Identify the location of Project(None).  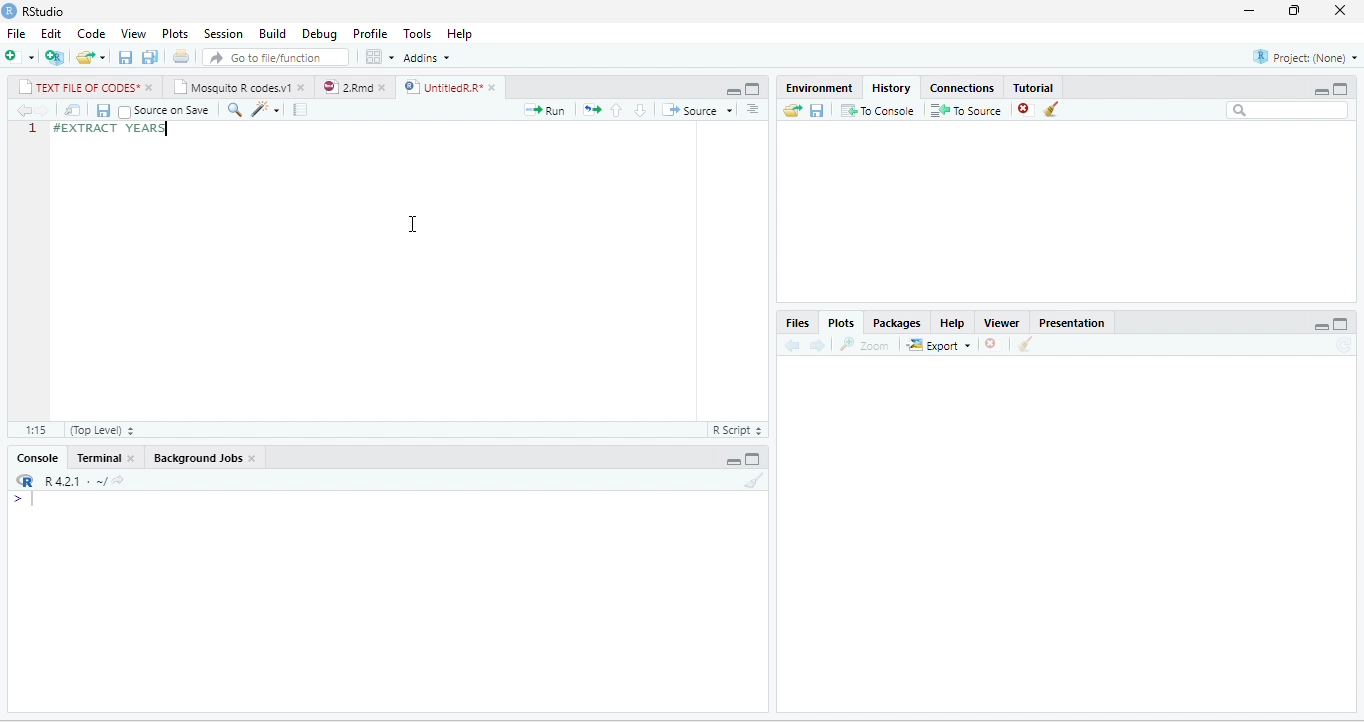
(1305, 57).